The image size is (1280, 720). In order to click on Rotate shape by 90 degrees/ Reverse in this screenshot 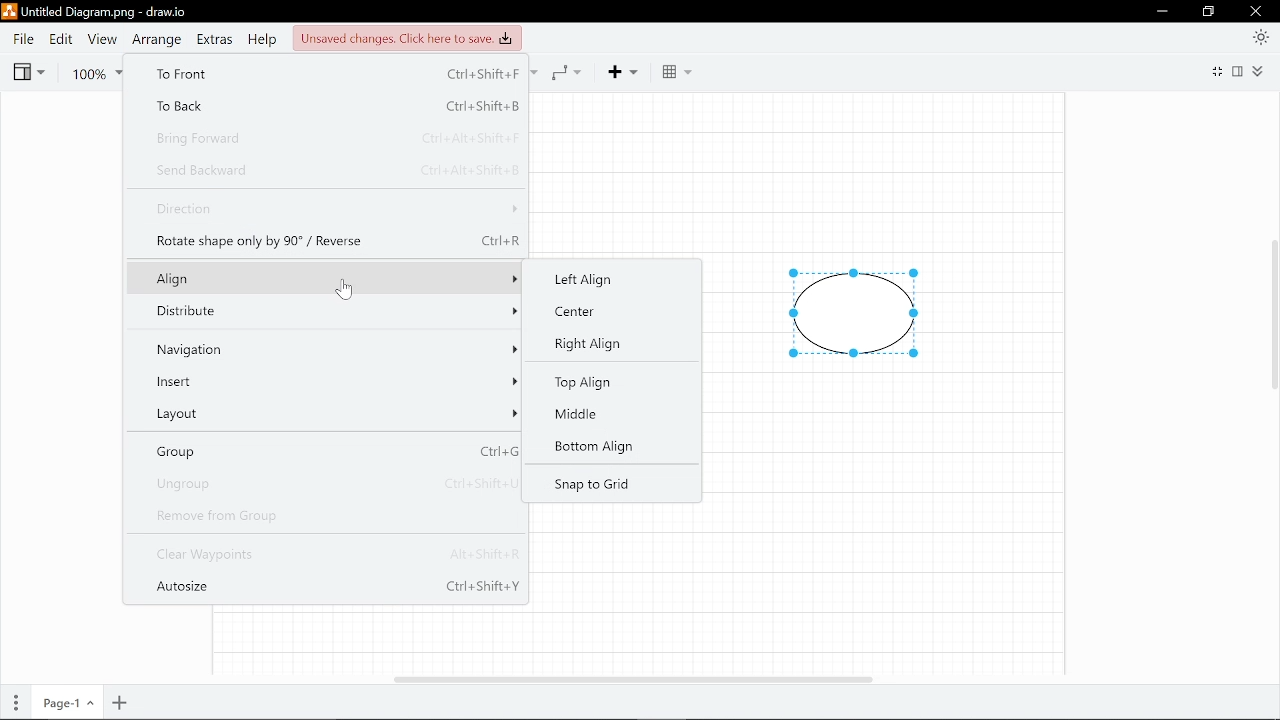, I will do `click(337, 239)`.